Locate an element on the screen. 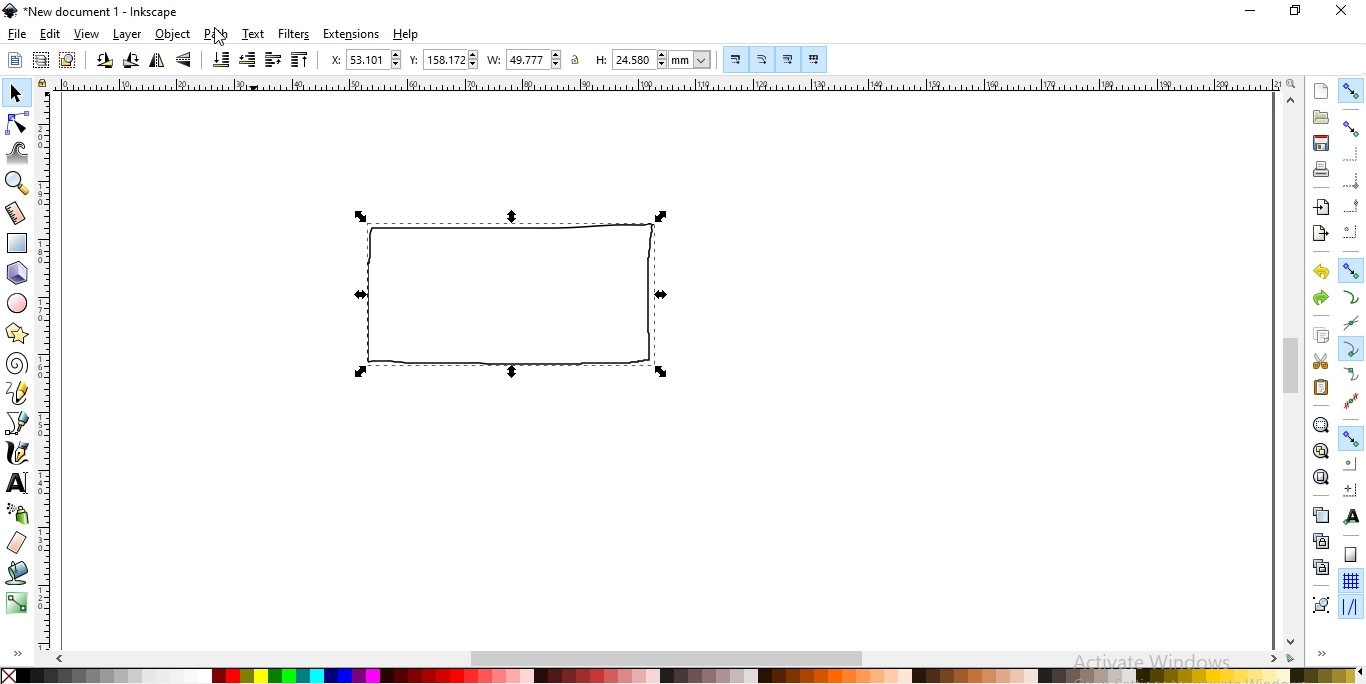   is located at coordinates (789, 59).